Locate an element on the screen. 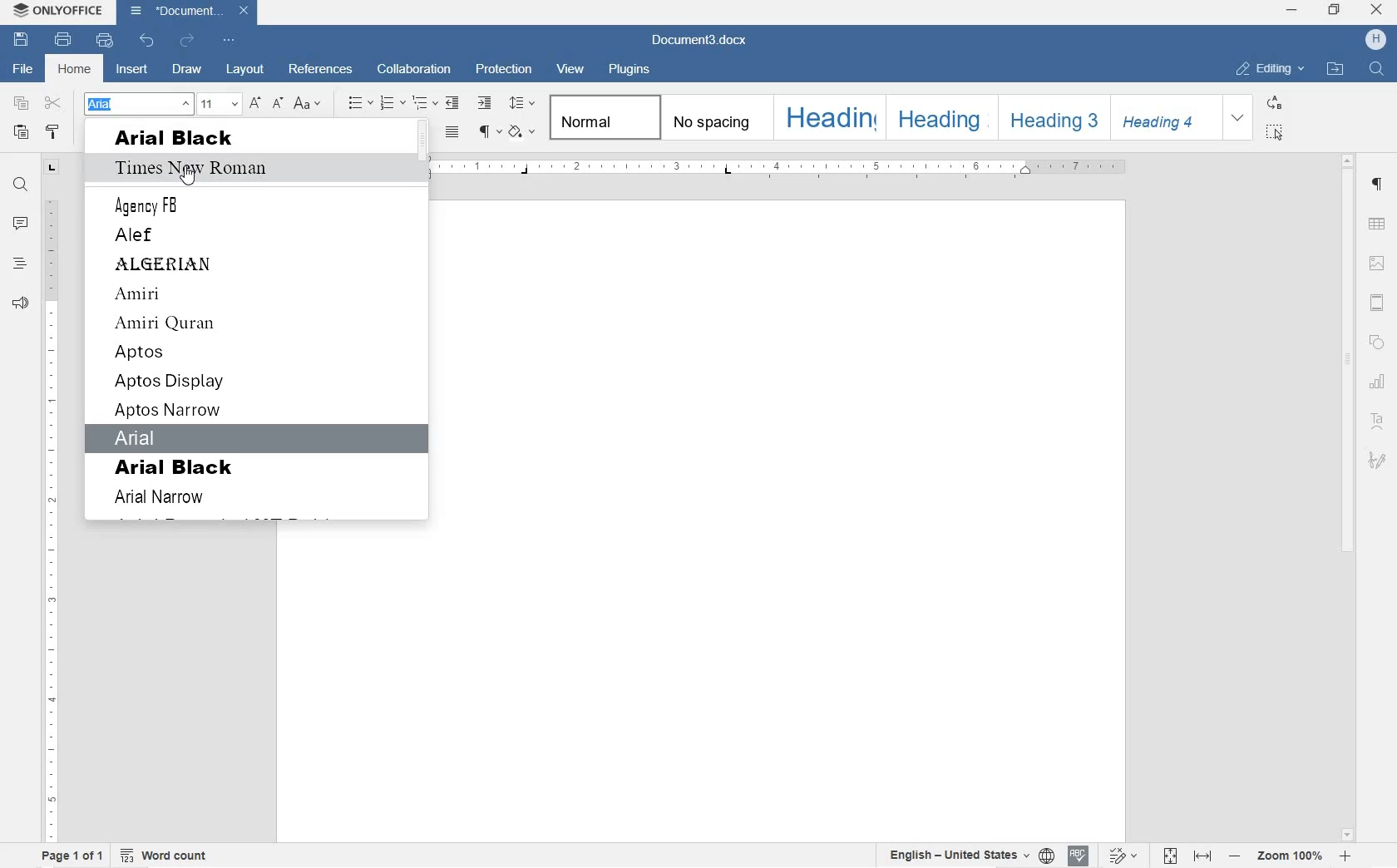 This screenshot has height=868, width=1397. INSERT is located at coordinates (132, 70).